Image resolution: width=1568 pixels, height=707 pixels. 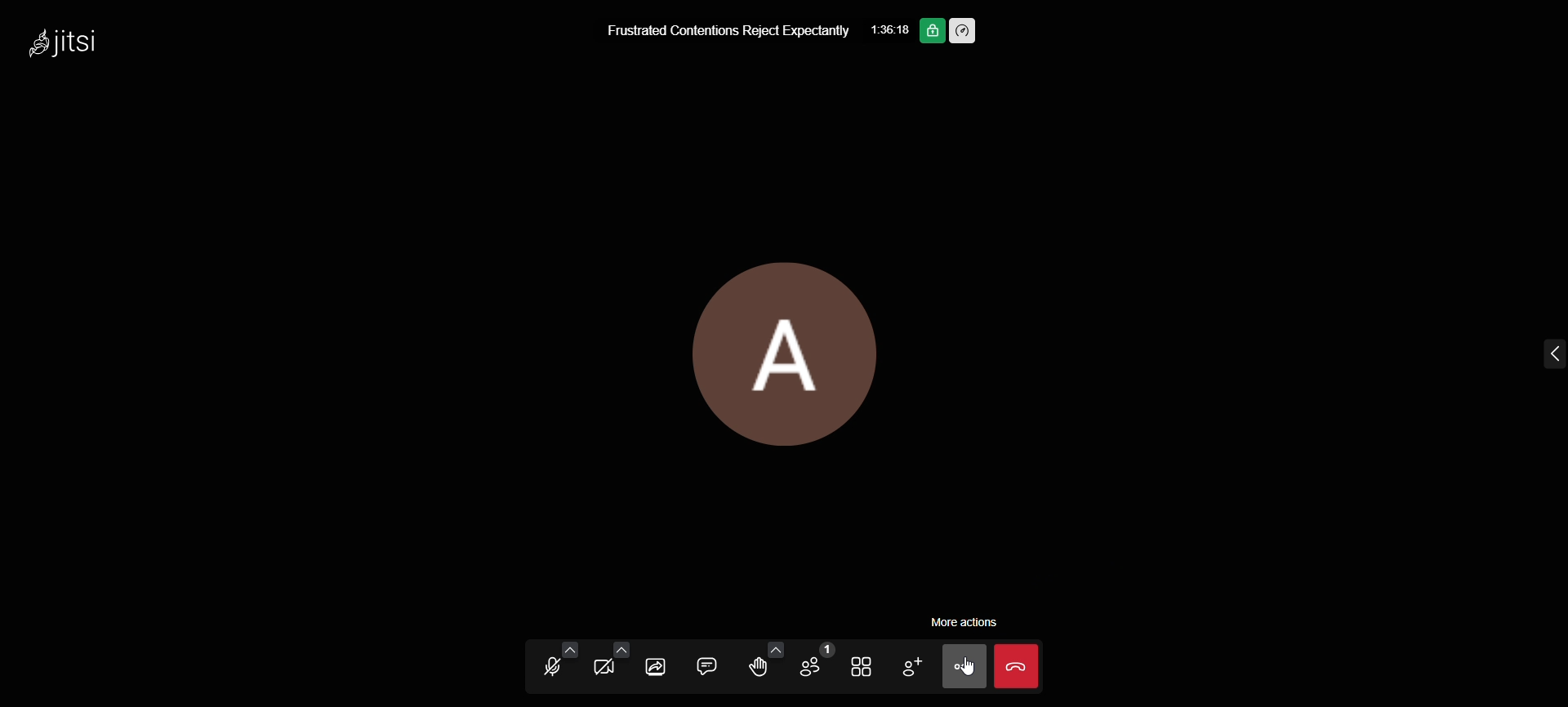 What do you see at coordinates (782, 353) in the screenshot?
I see `display picture` at bounding box center [782, 353].